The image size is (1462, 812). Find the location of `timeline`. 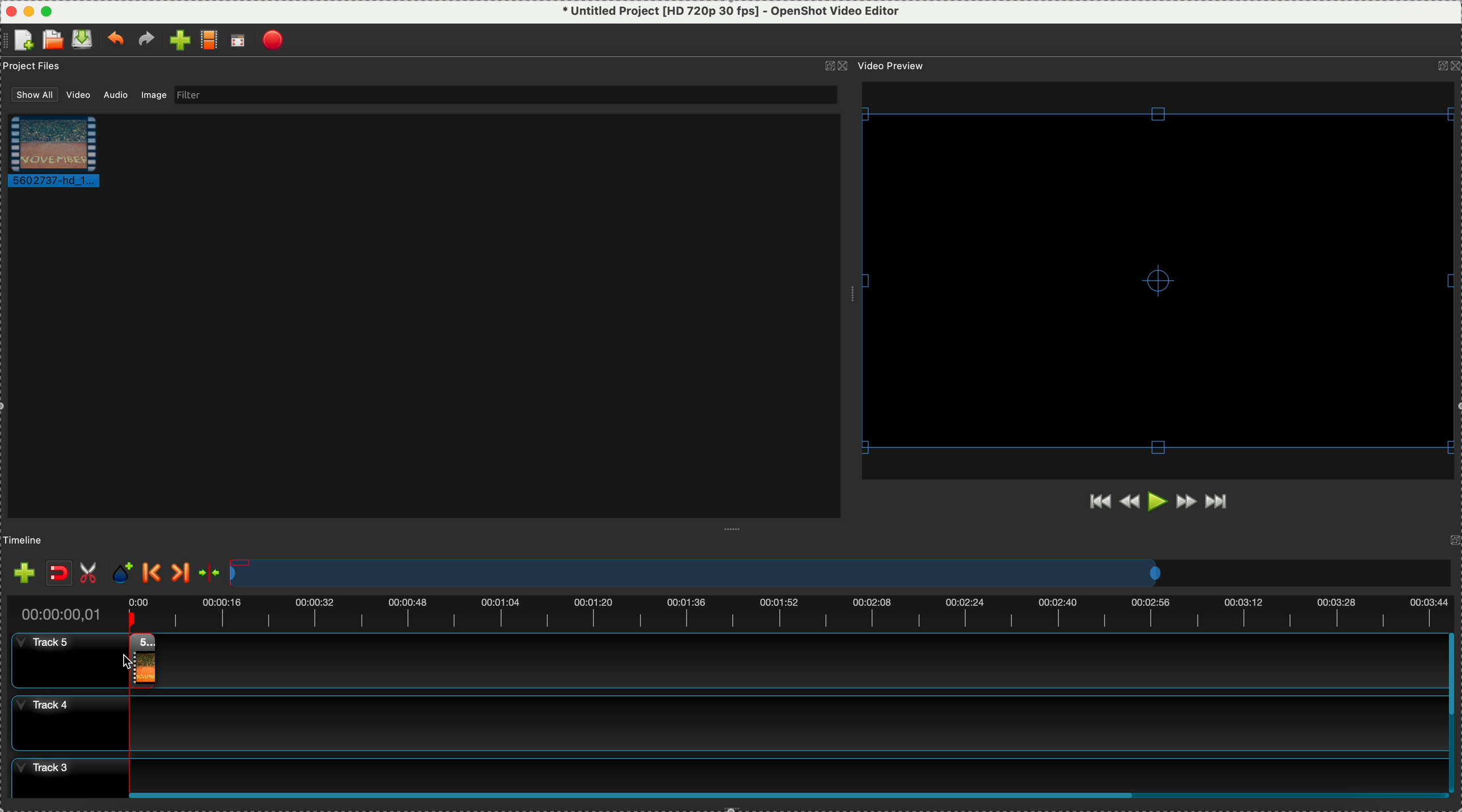

timeline is located at coordinates (27, 539).